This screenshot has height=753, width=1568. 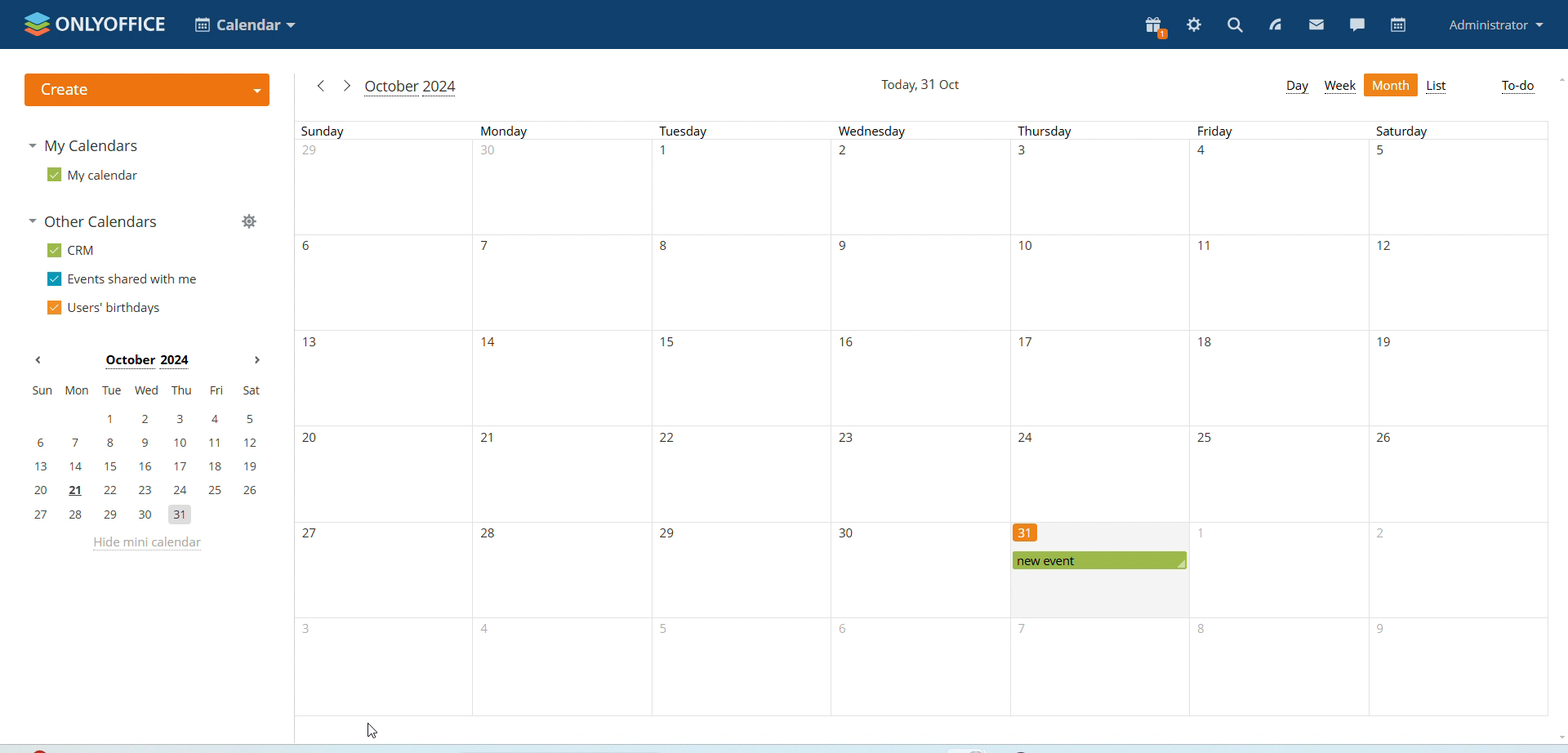 What do you see at coordinates (1459, 418) in the screenshot?
I see `Saturdays` at bounding box center [1459, 418].